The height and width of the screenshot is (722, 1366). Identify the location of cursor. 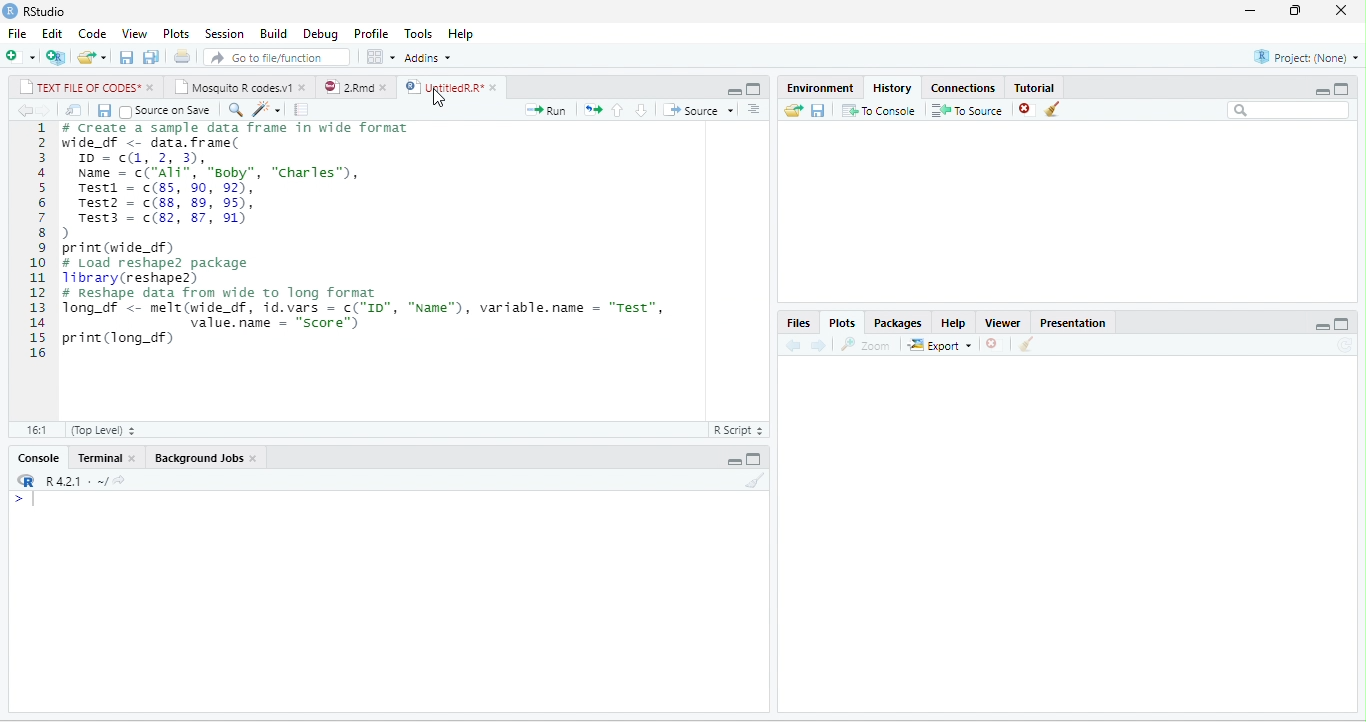
(438, 98).